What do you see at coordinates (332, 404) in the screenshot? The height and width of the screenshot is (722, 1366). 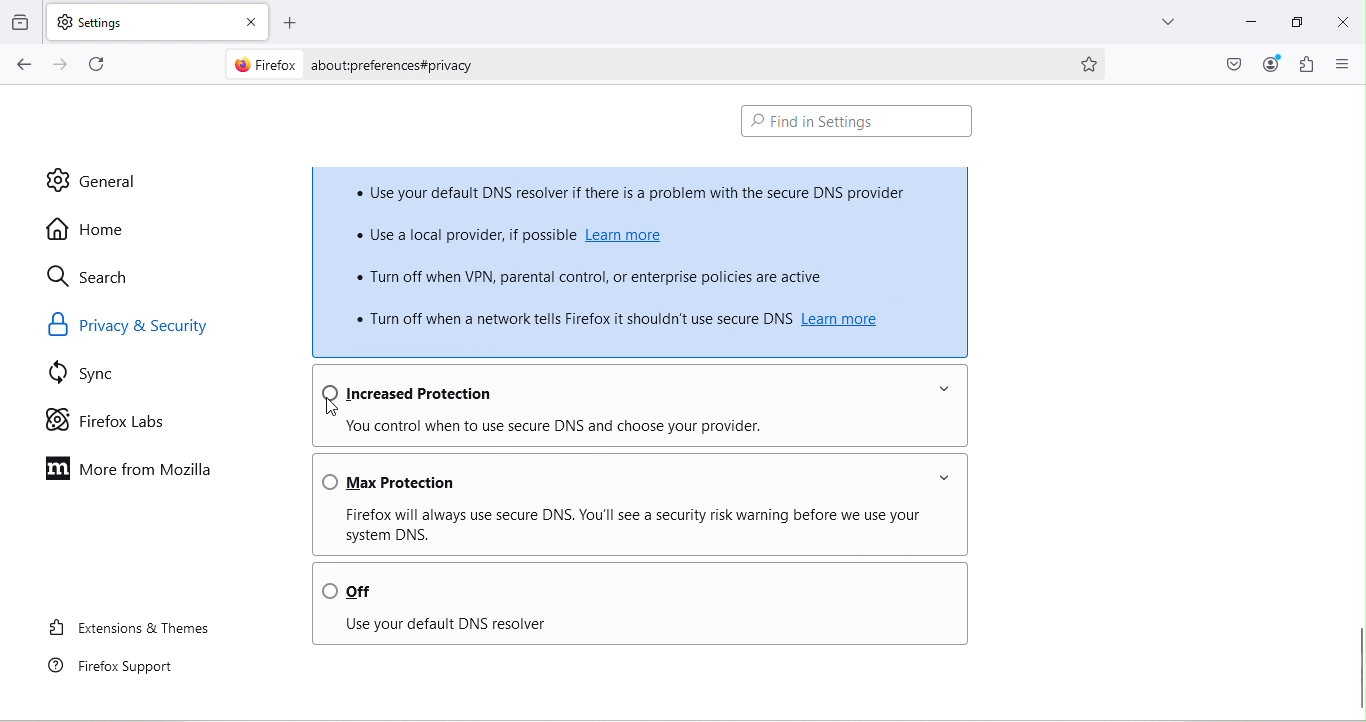 I see `Cursor` at bounding box center [332, 404].